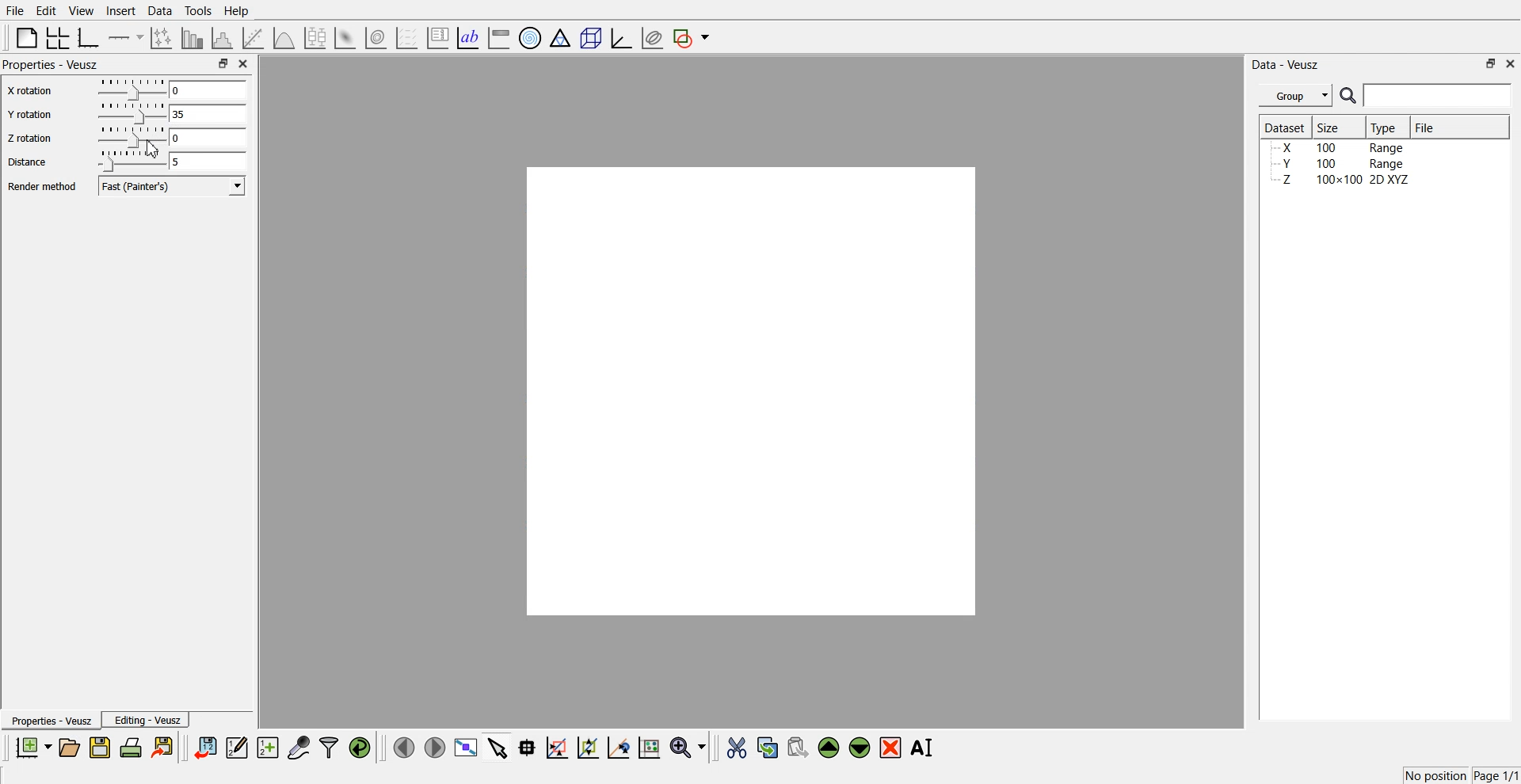  What do you see at coordinates (653, 39) in the screenshot?
I see `Plot covariance ellipsis` at bounding box center [653, 39].